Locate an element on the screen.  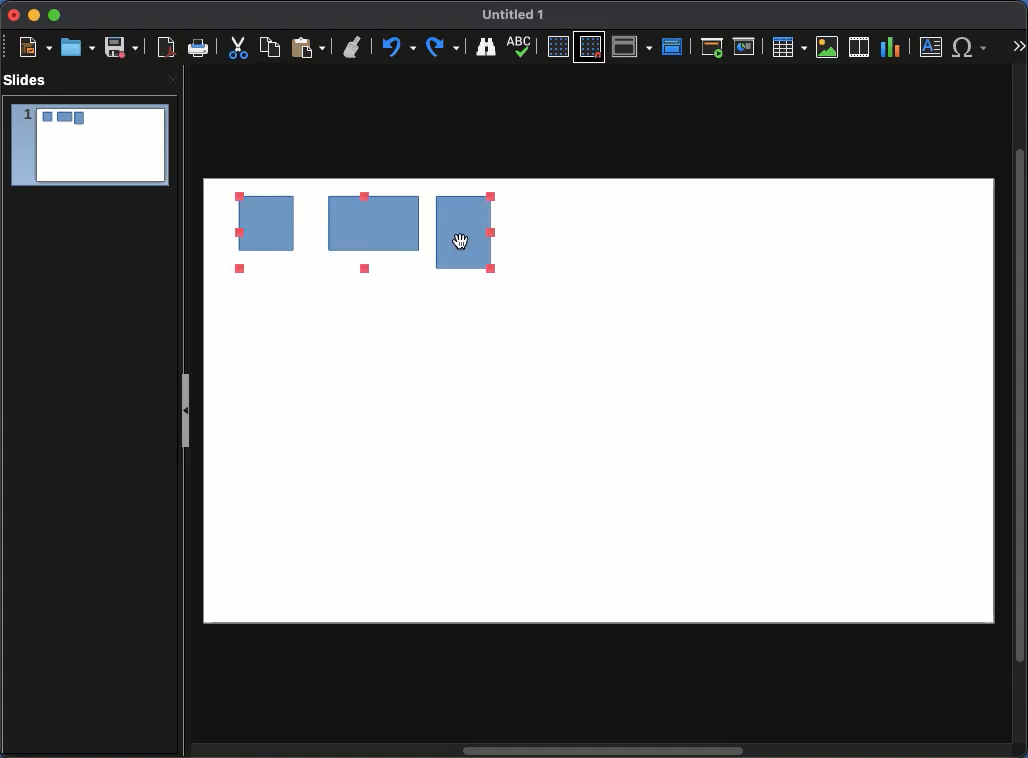
Save is located at coordinates (121, 47).